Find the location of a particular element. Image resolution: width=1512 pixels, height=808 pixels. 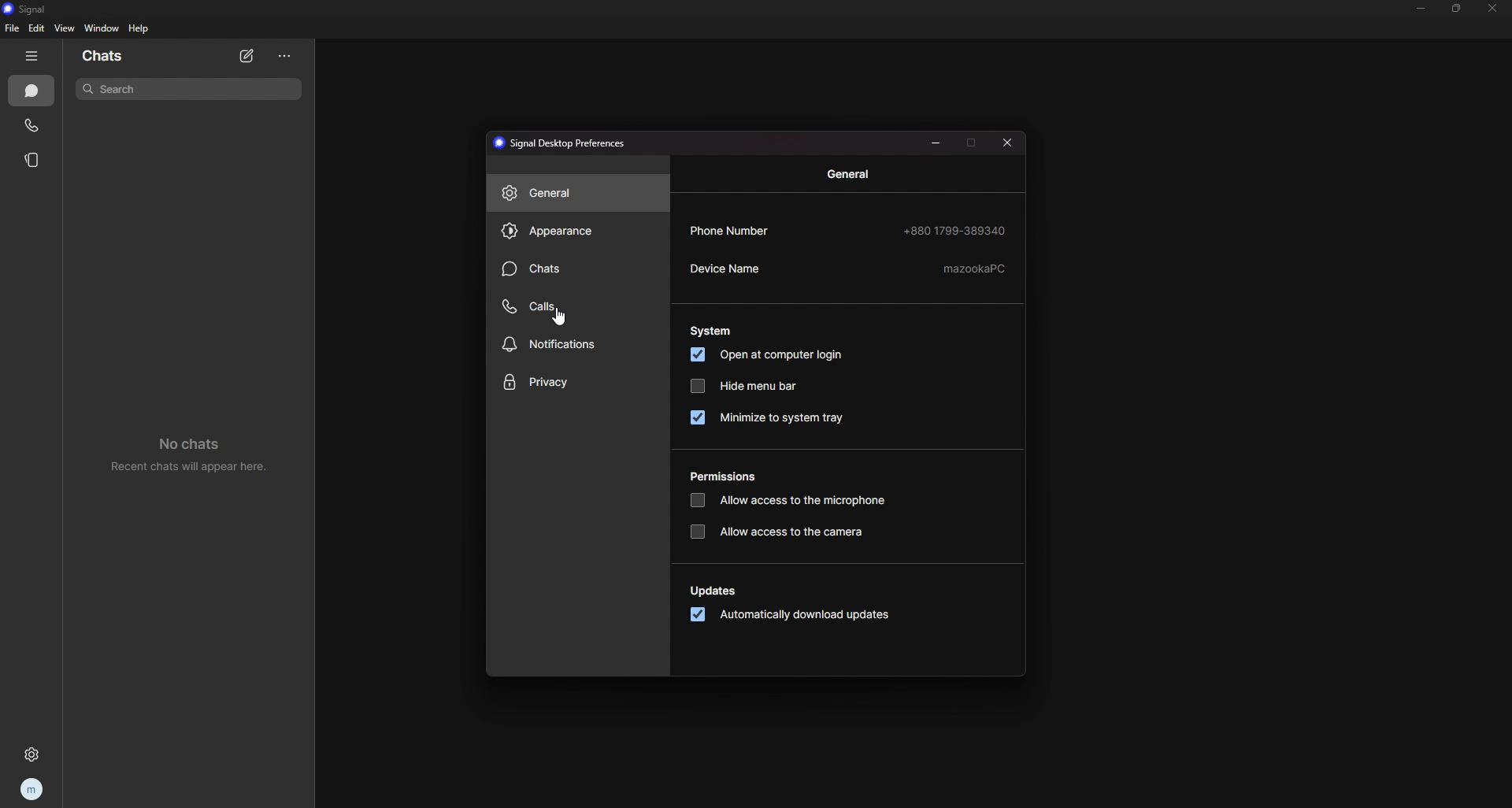

chats is located at coordinates (32, 91).